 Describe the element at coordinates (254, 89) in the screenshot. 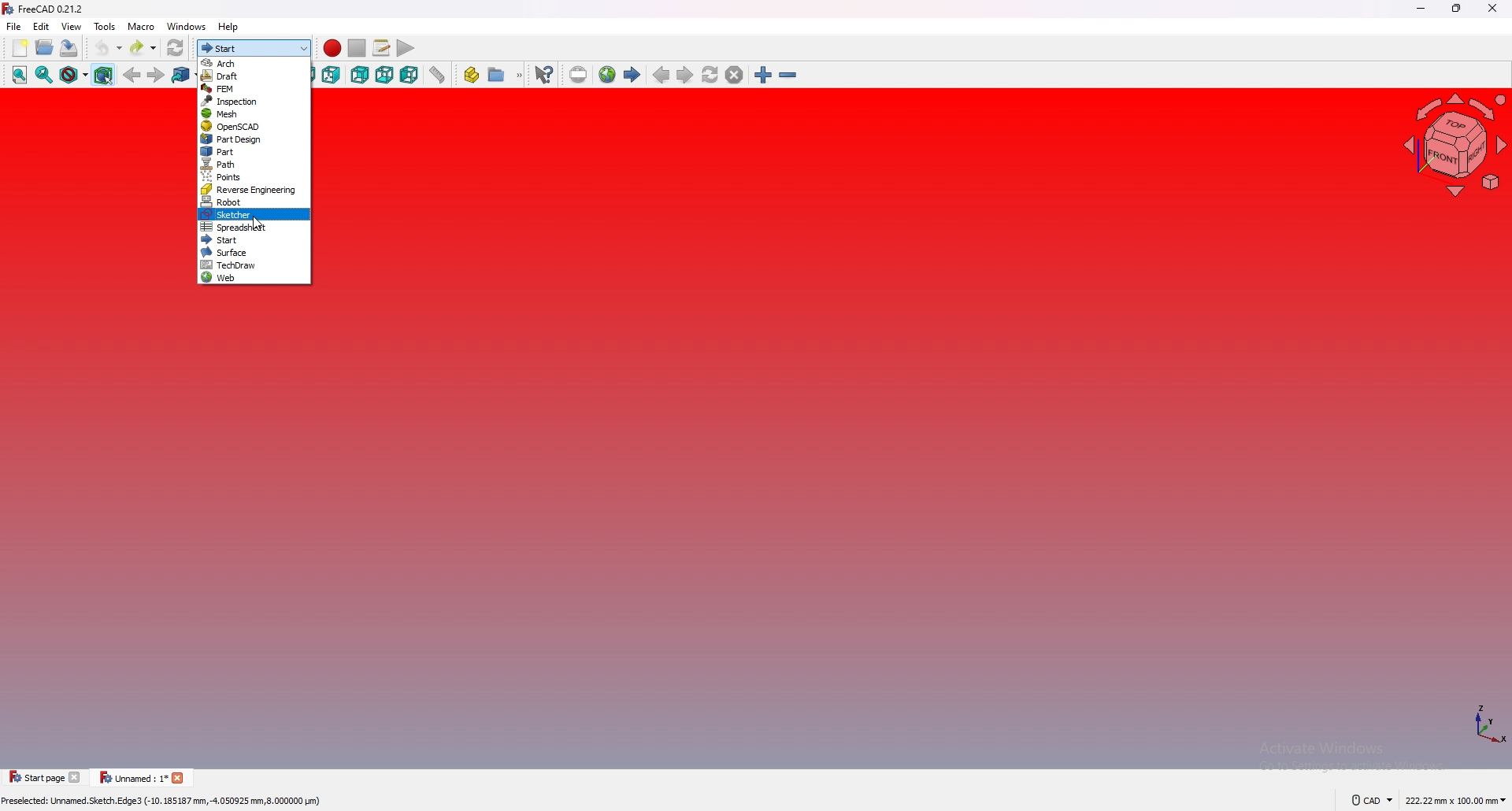

I see `fem` at that location.